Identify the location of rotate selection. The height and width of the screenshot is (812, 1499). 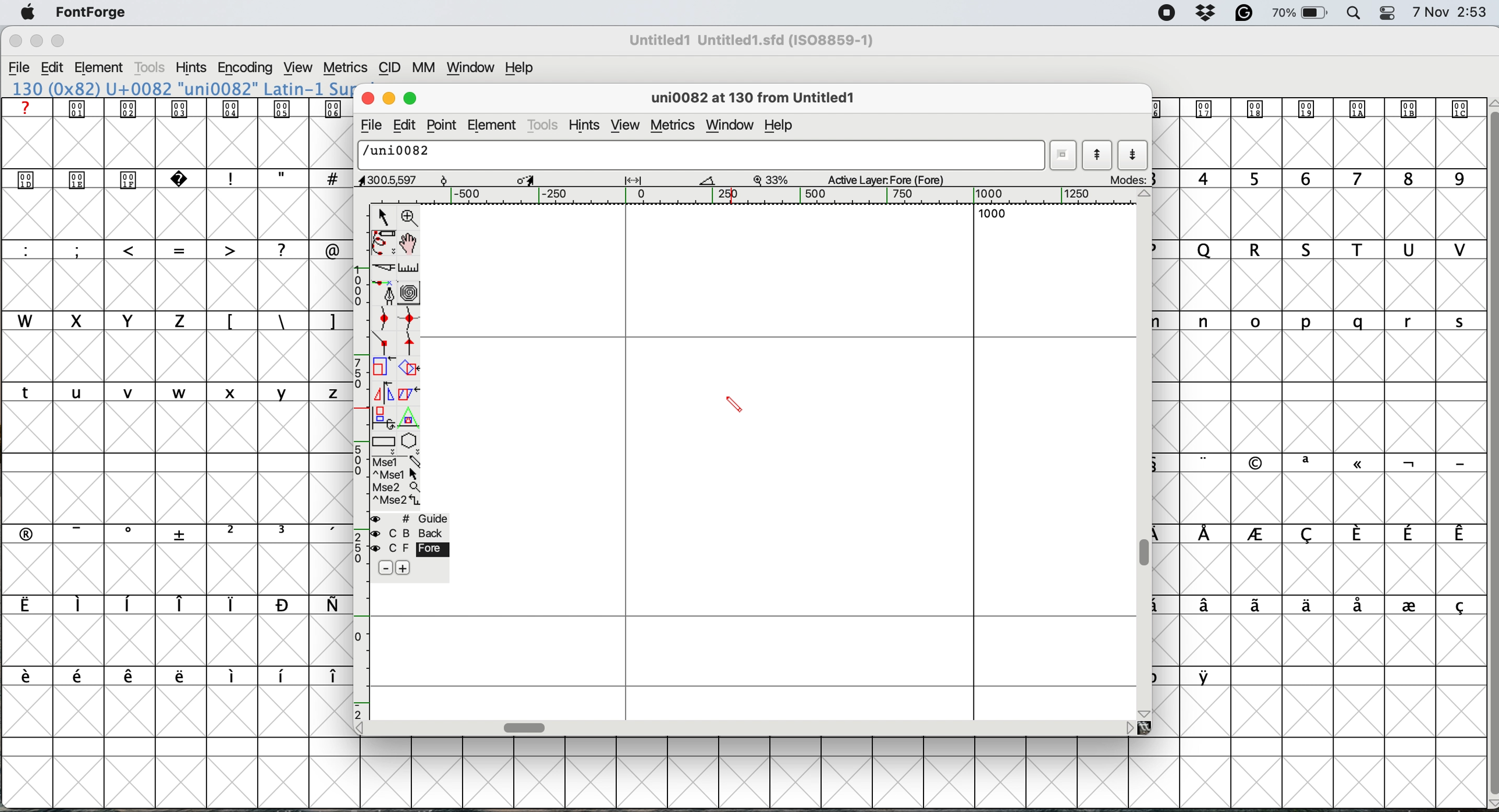
(410, 369).